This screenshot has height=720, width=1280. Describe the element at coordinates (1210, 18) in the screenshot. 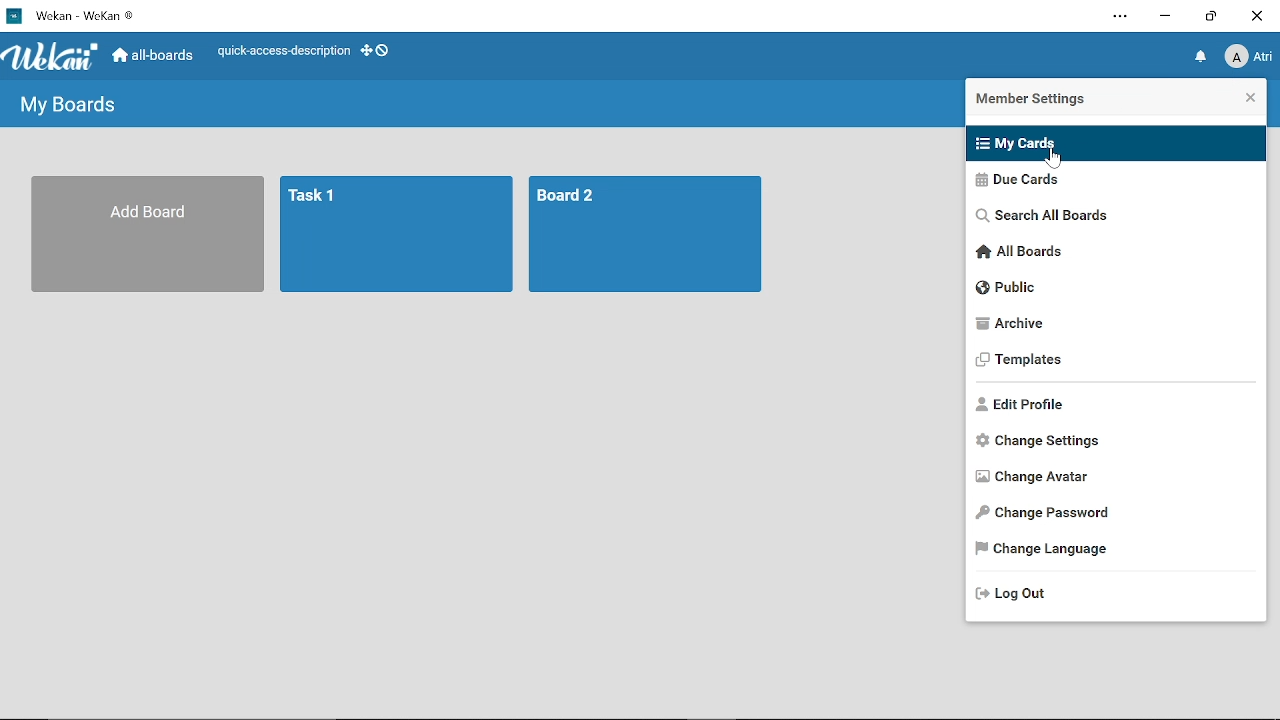

I see `Restore down` at that location.